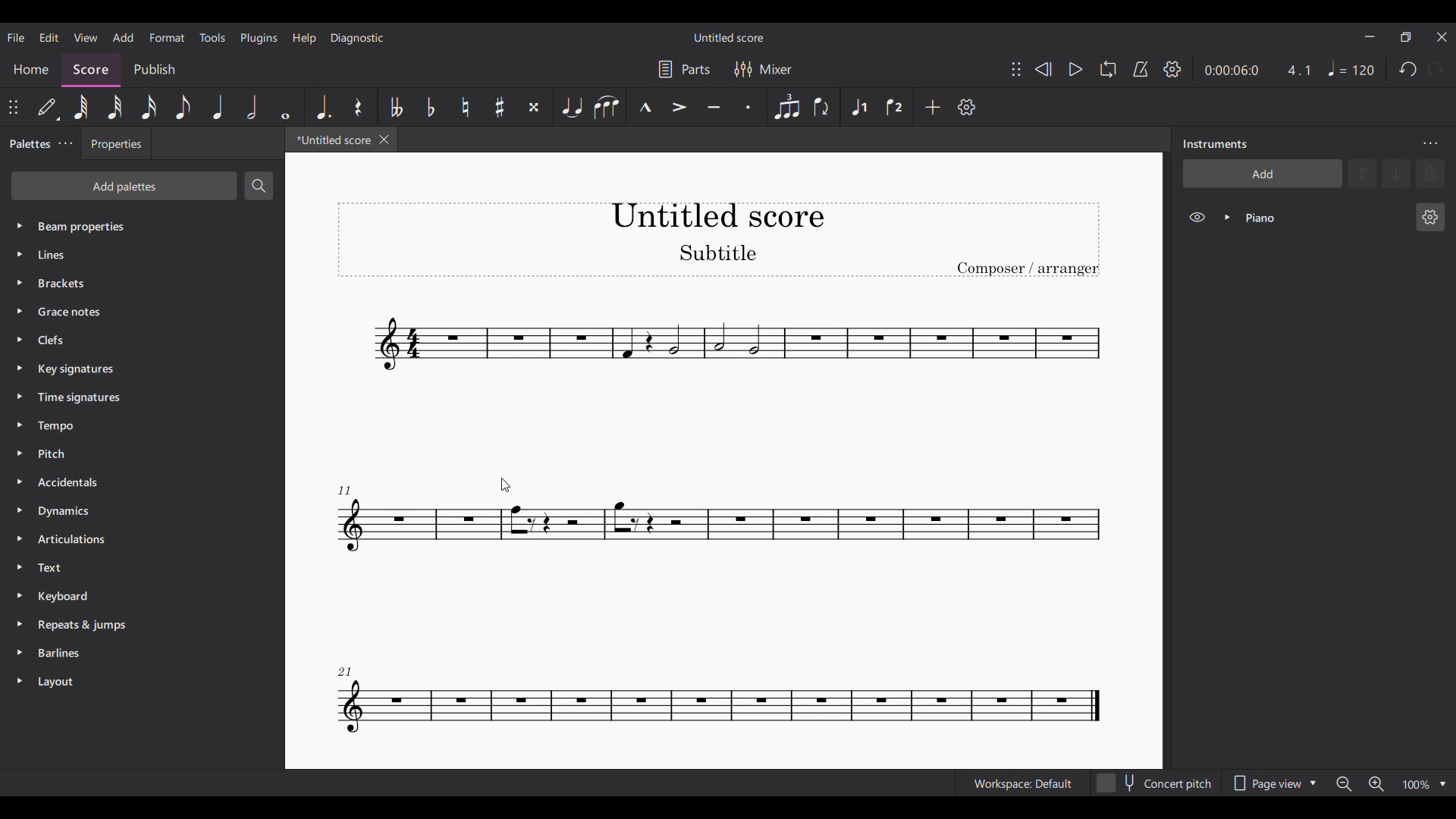 Image resolution: width=1456 pixels, height=819 pixels. What do you see at coordinates (1443, 784) in the screenshot?
I see `Zoom options` at bounding box center [1443, 784].